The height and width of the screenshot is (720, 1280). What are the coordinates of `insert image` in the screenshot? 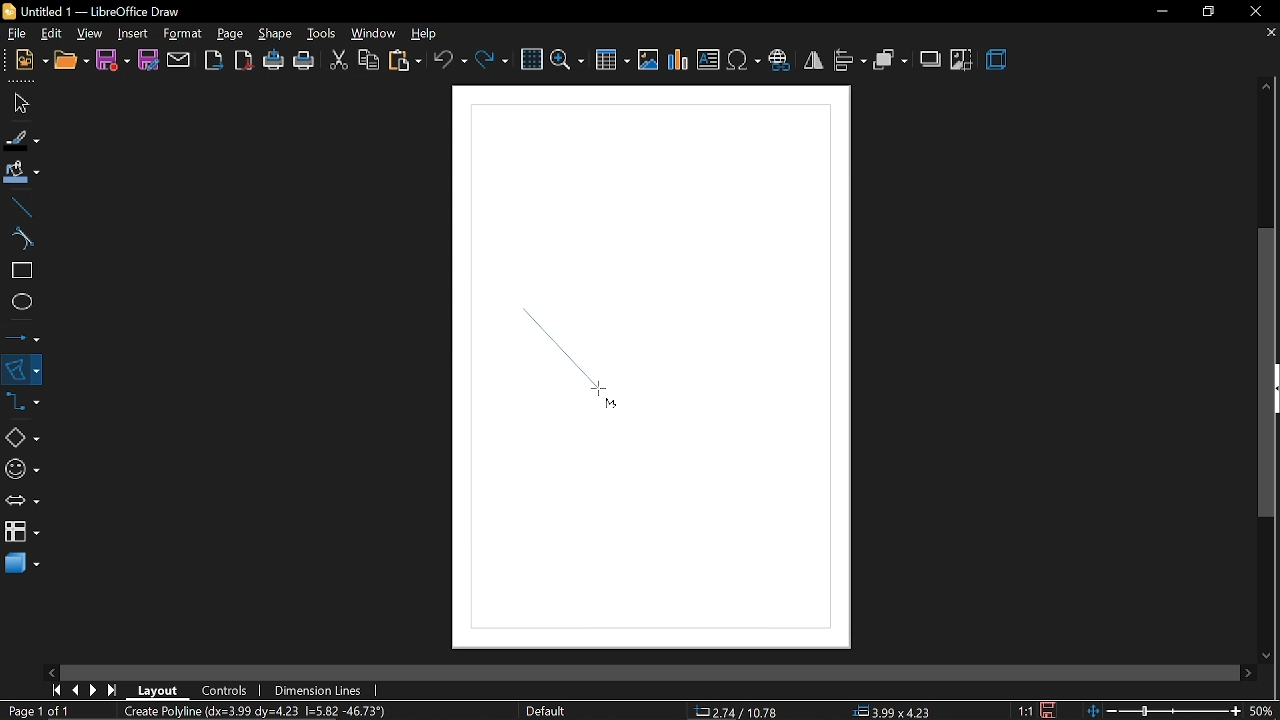 It's located at (709, 61).